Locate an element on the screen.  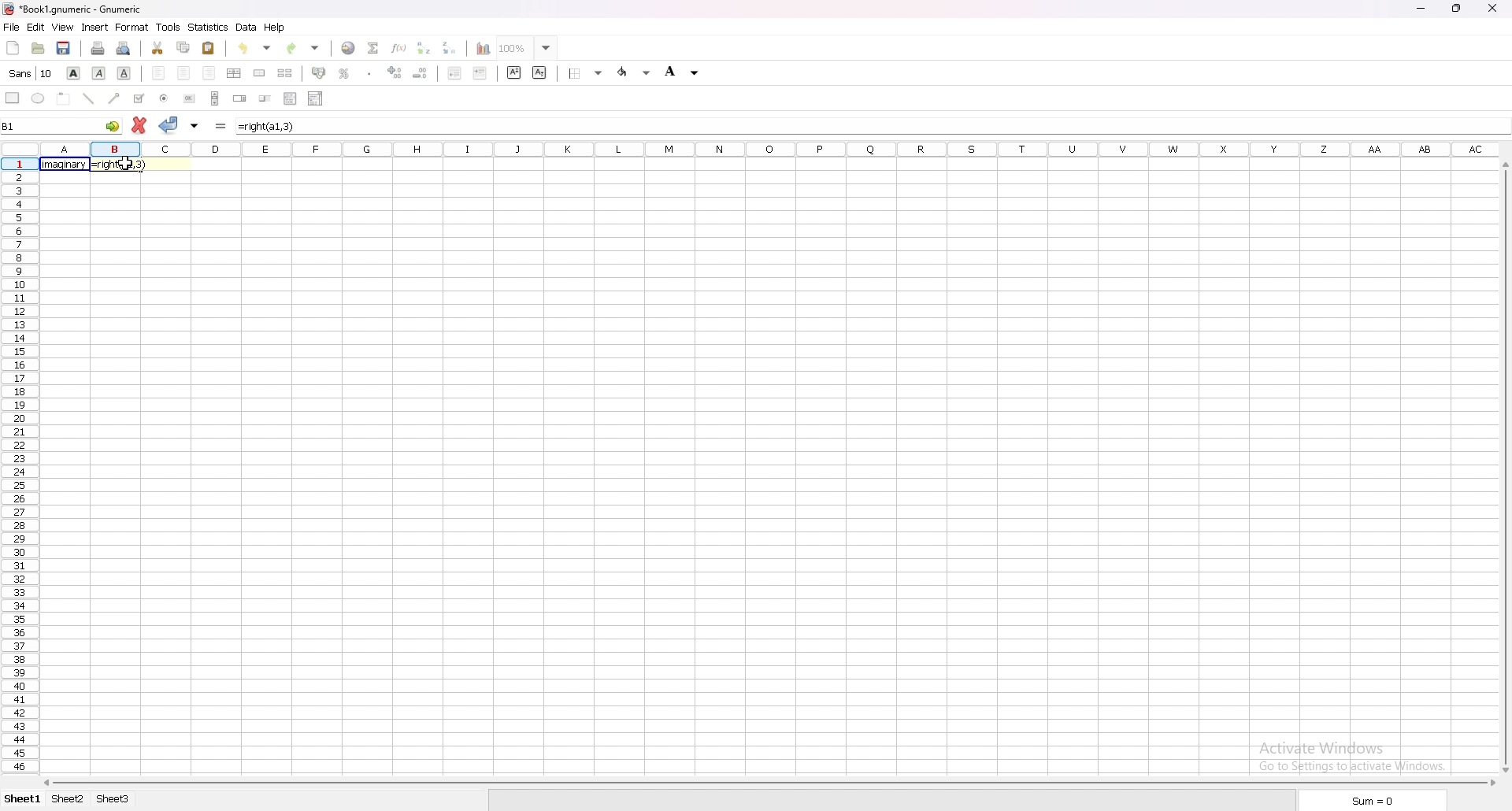
radio button is located at coordinates (165, 98).